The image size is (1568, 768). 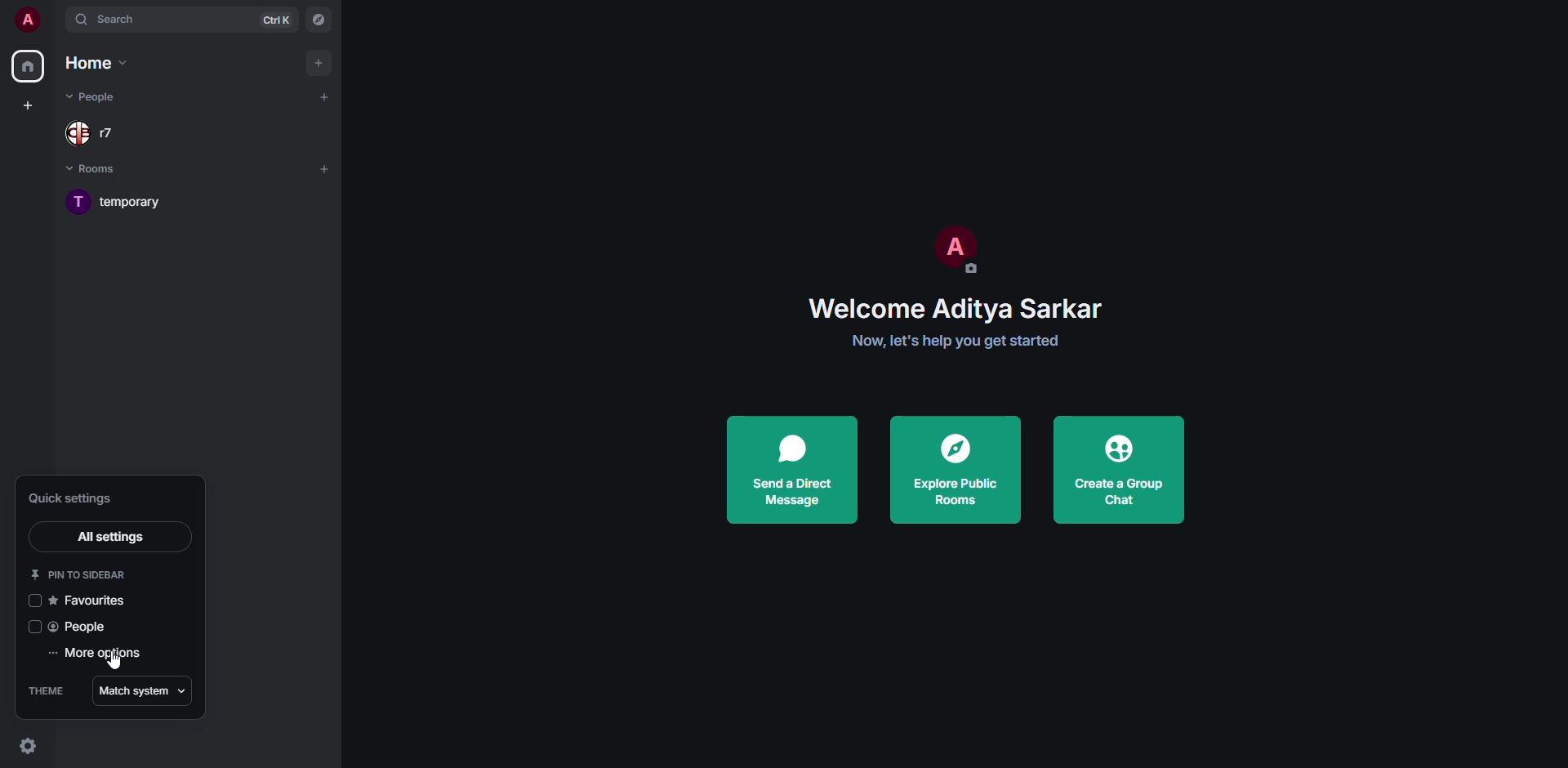 What do you see at coordinates (322, 96) in the screenshot?
I see `add` at bounding box center [322, 96].